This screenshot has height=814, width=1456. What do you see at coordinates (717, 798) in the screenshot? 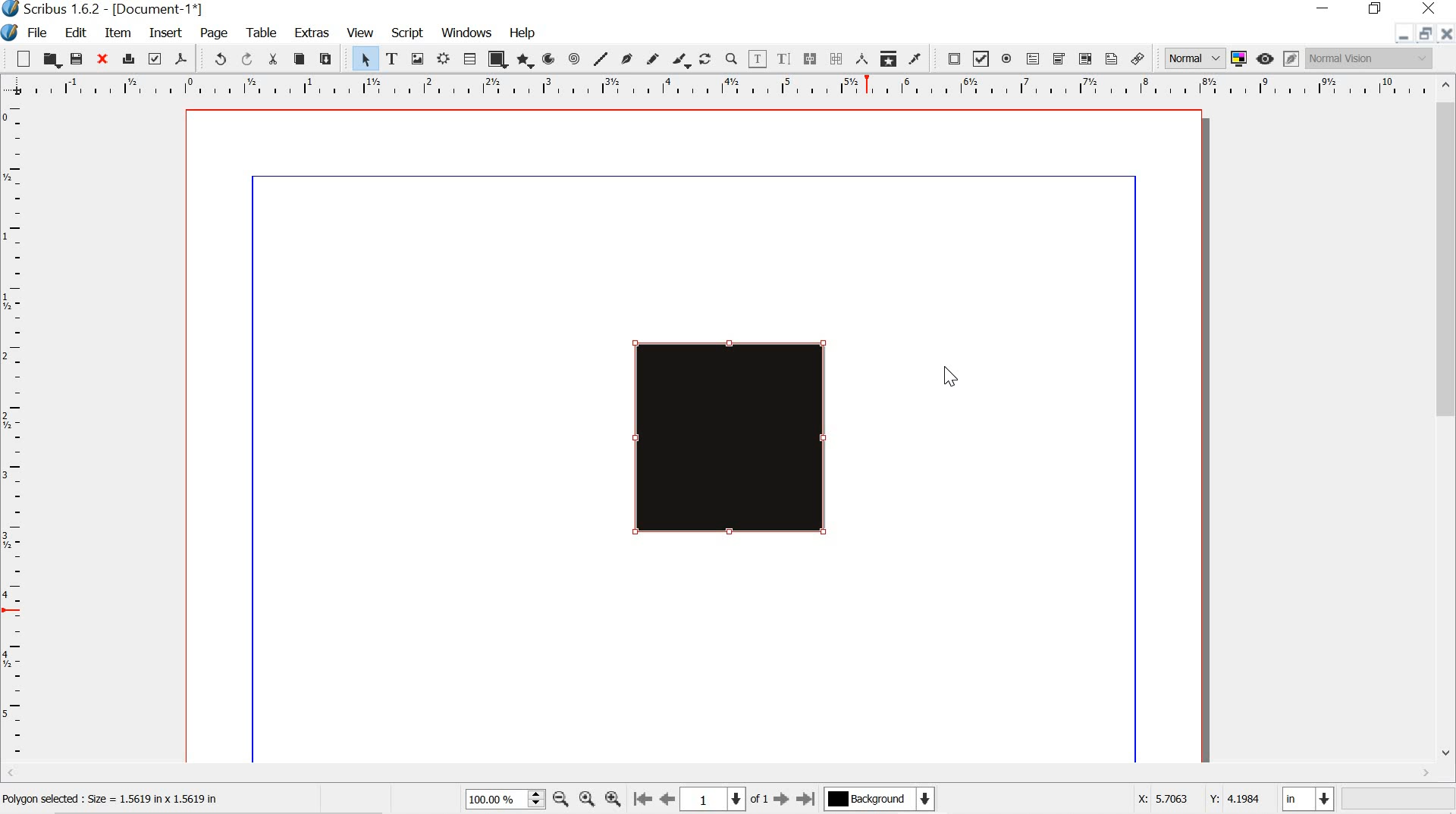
I see `1` at bounding box center [717, 798].